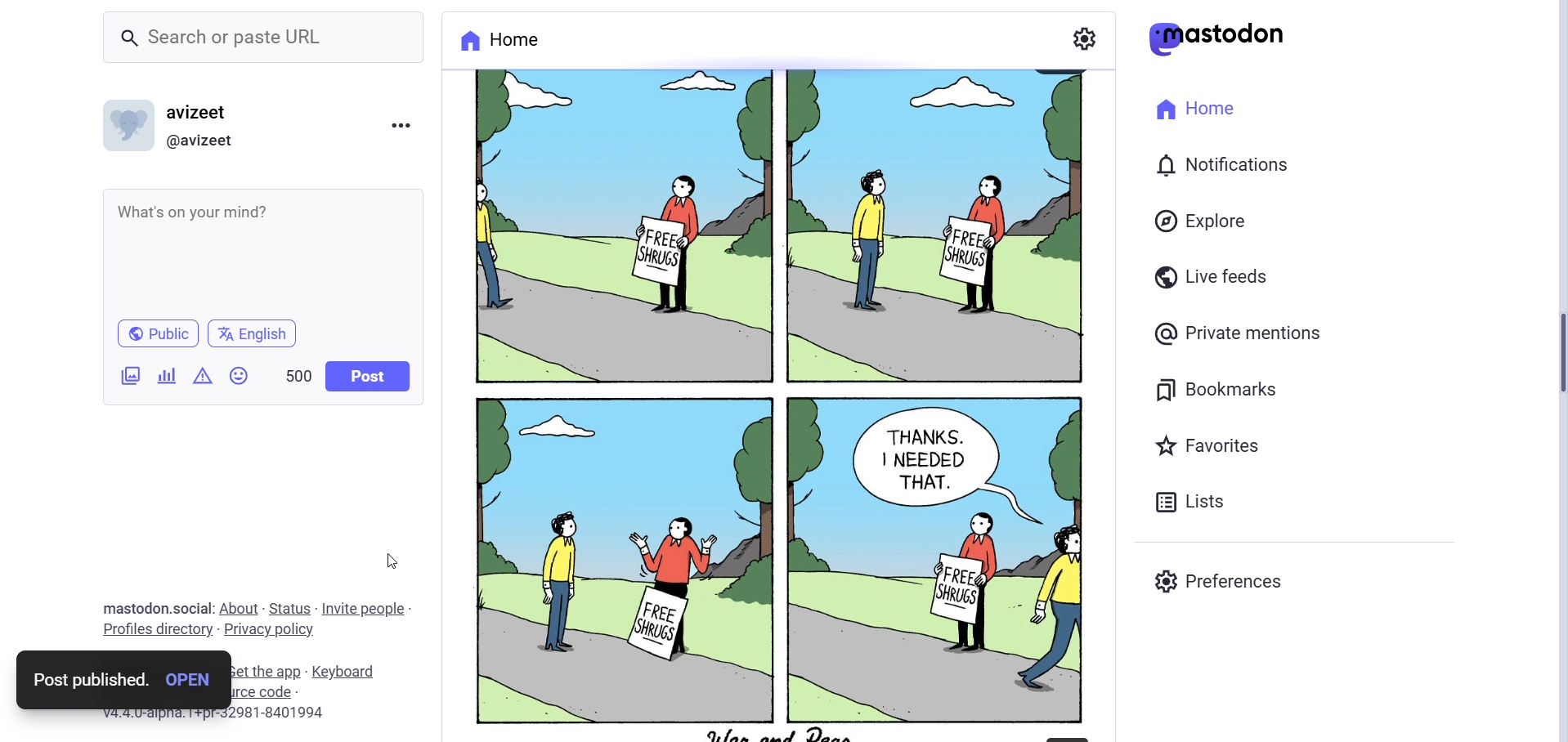 Image resolution: width=1568 pixels, height=742 pixels. What do you see at coordinates (196, 680) in the screenshot?
I see `Open Posted Photo` at bounding box center [196, 680].